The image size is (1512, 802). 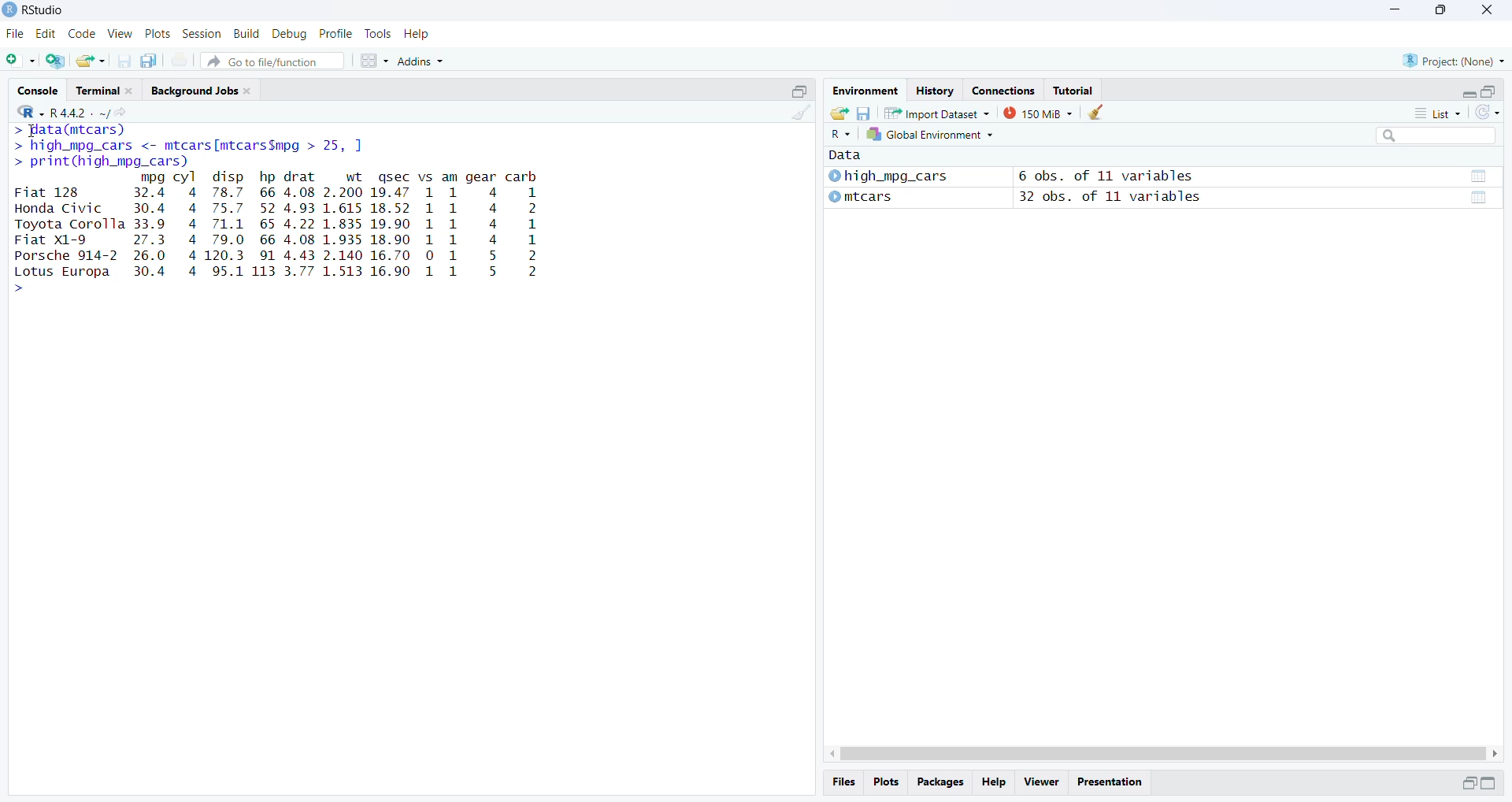 I want to click on Tools, so click(x=376, y=32).